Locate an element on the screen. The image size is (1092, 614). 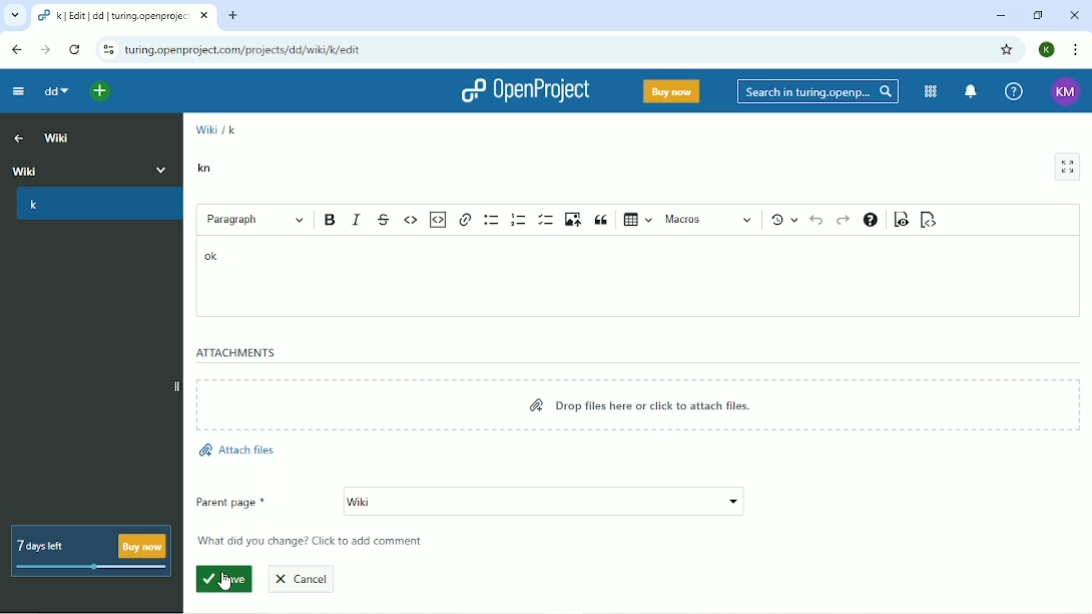
Text formatting help is located at coordinates (870, 220).